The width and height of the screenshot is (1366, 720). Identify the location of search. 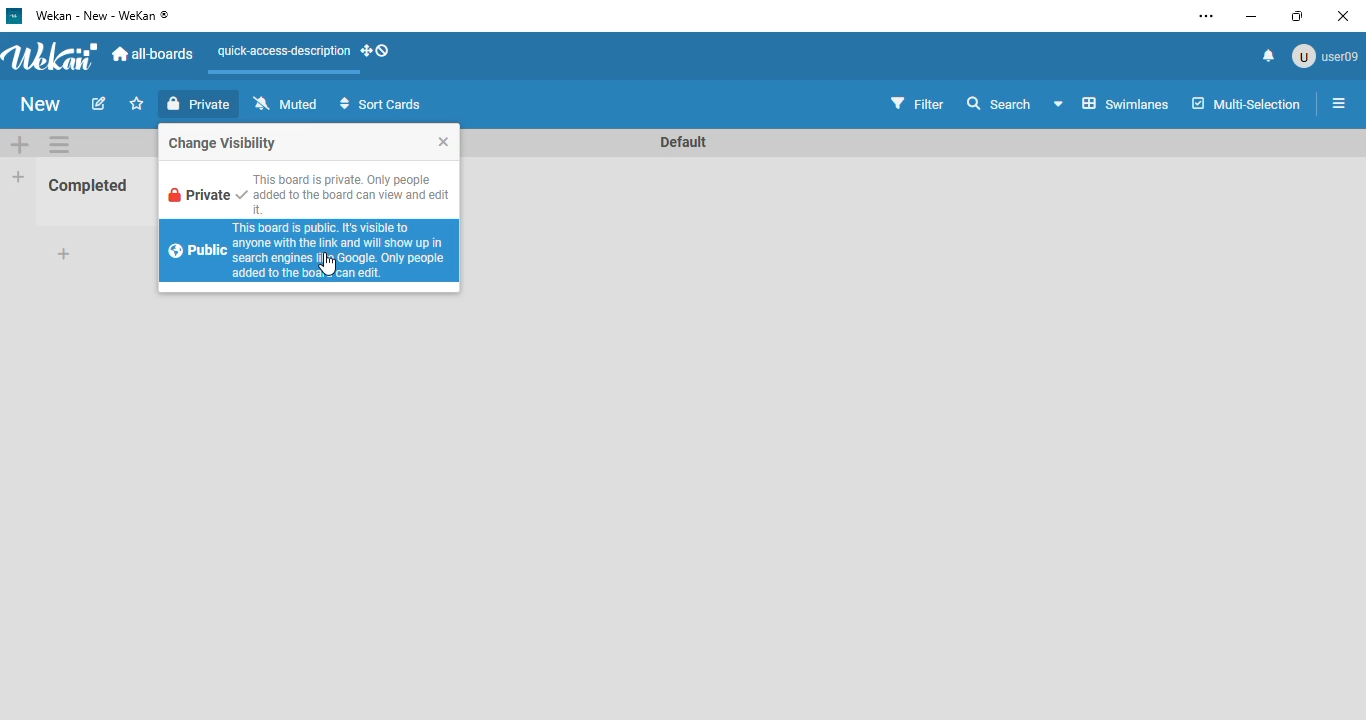
(998, 104).